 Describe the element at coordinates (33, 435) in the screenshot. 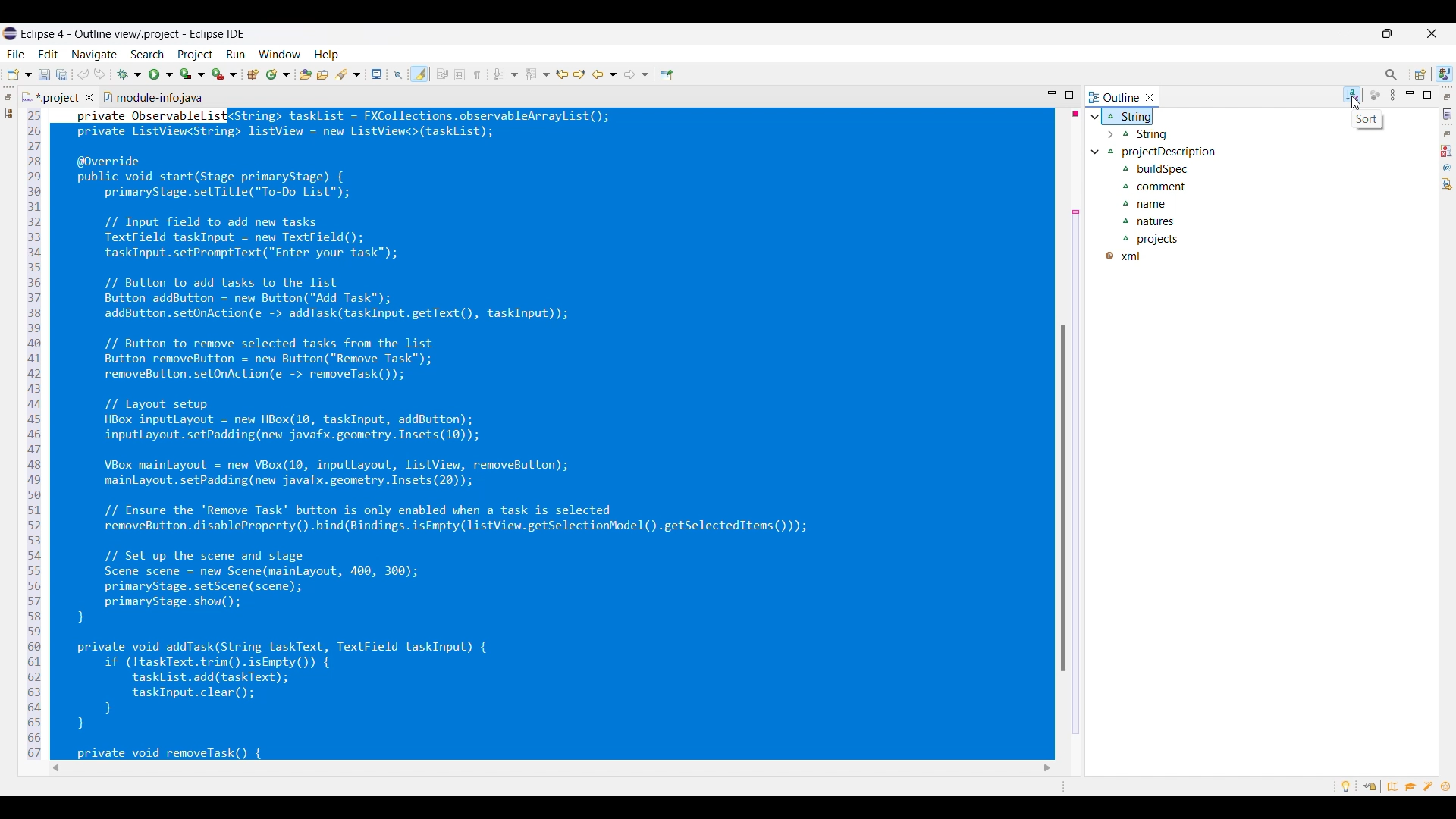

I see `line   number` at that location.